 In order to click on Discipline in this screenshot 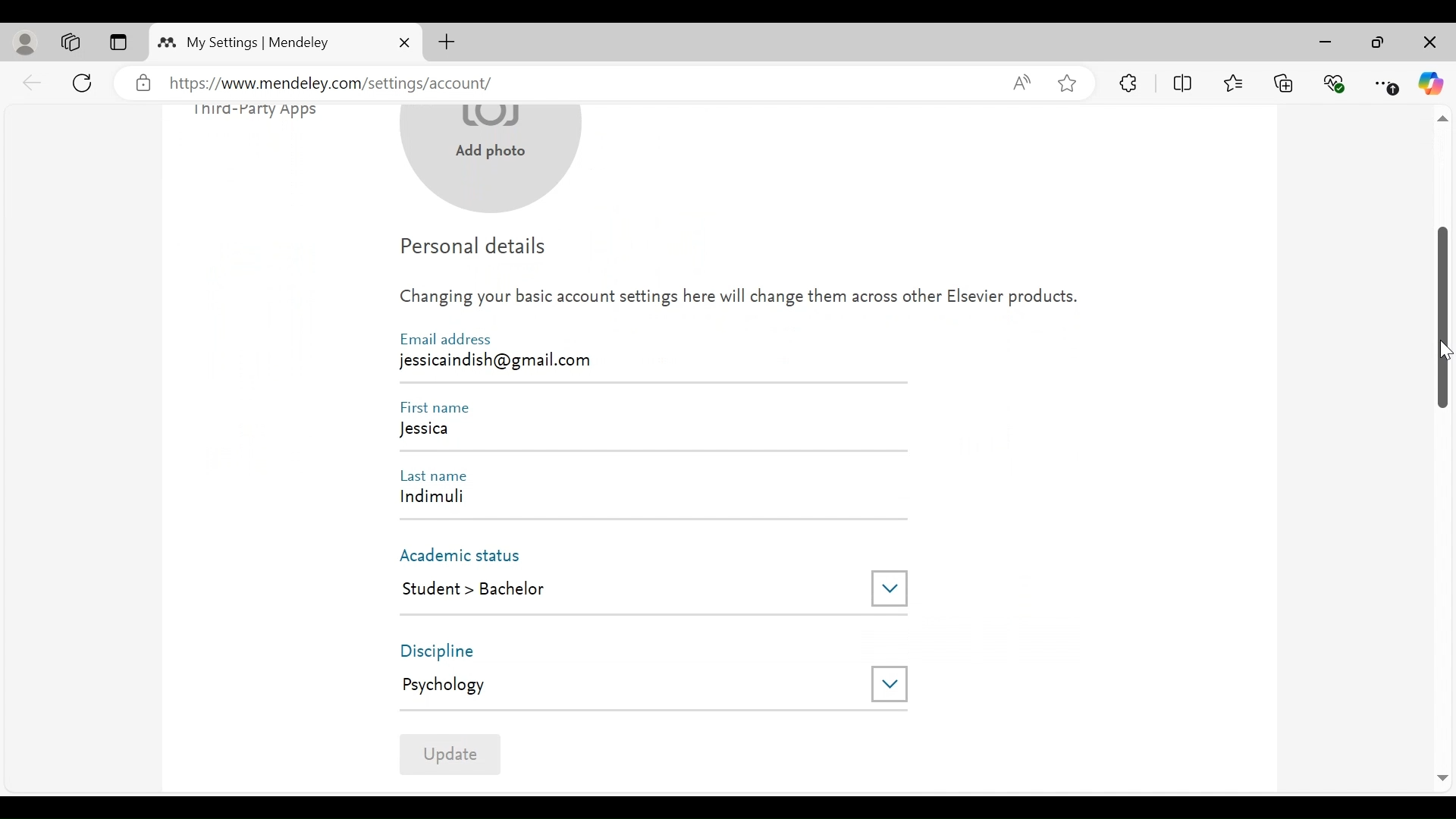, I will do `click(451, 651)`.